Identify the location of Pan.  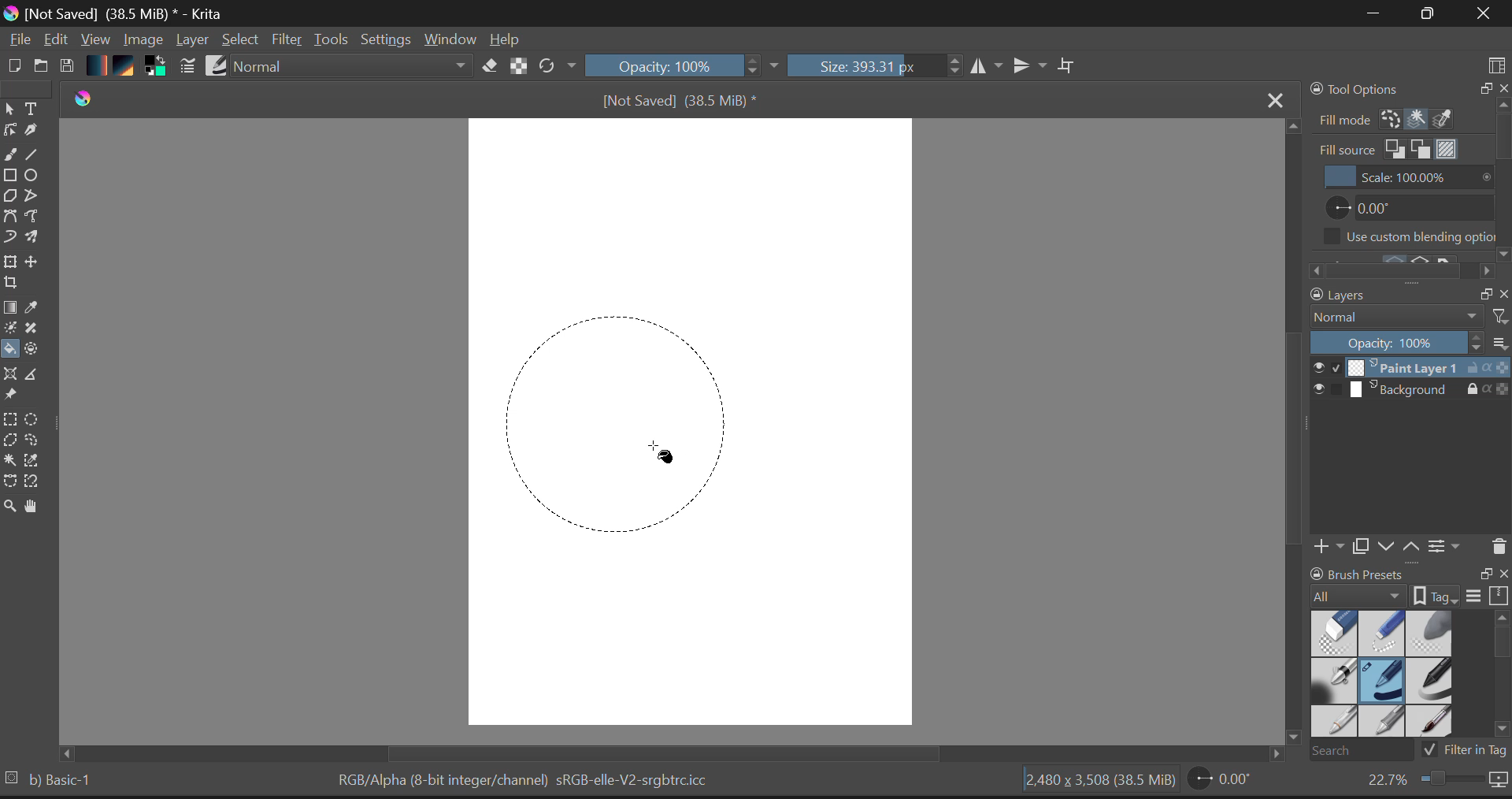
(35, 507).